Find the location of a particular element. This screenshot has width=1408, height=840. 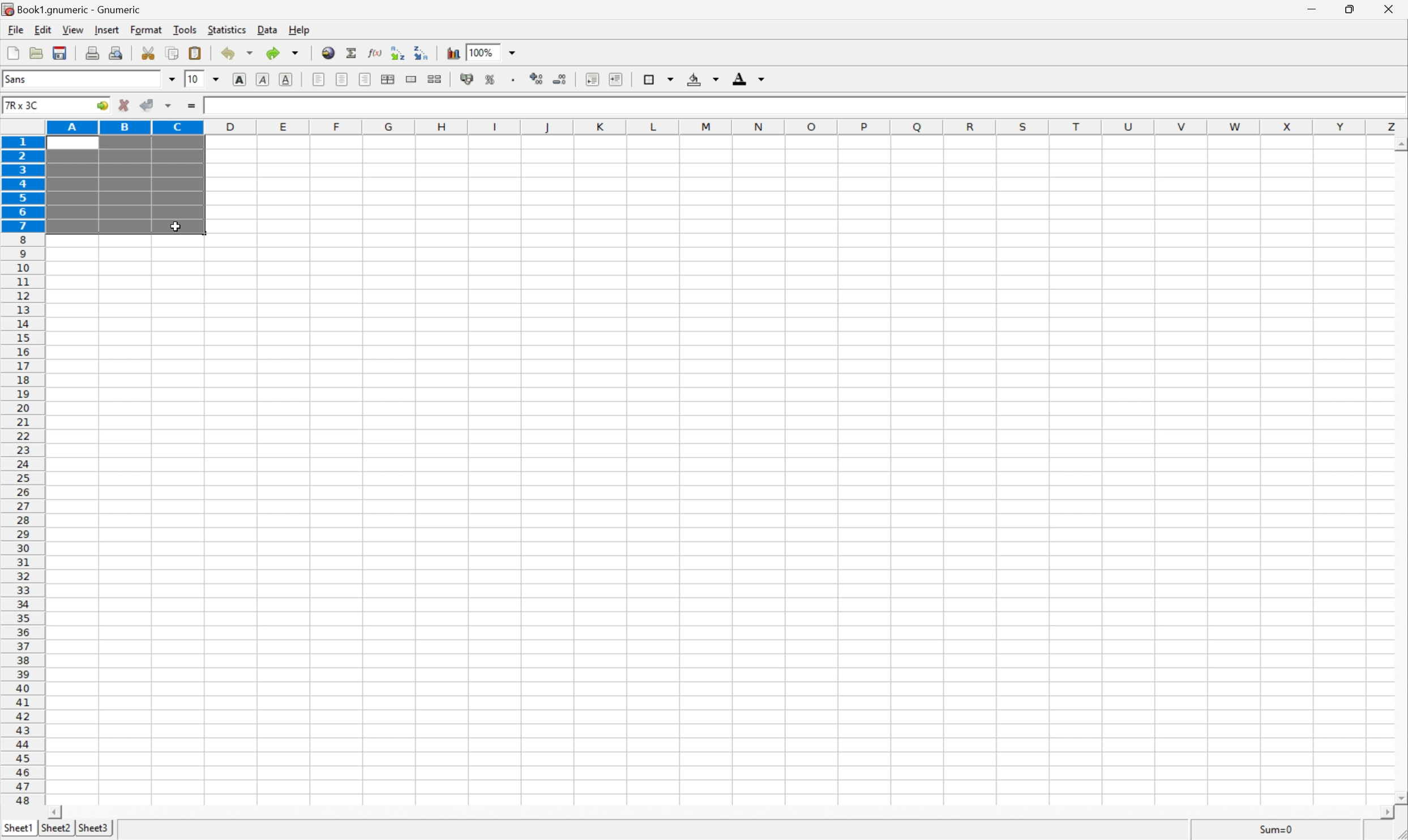

undo is located at coordinates (236, 53).